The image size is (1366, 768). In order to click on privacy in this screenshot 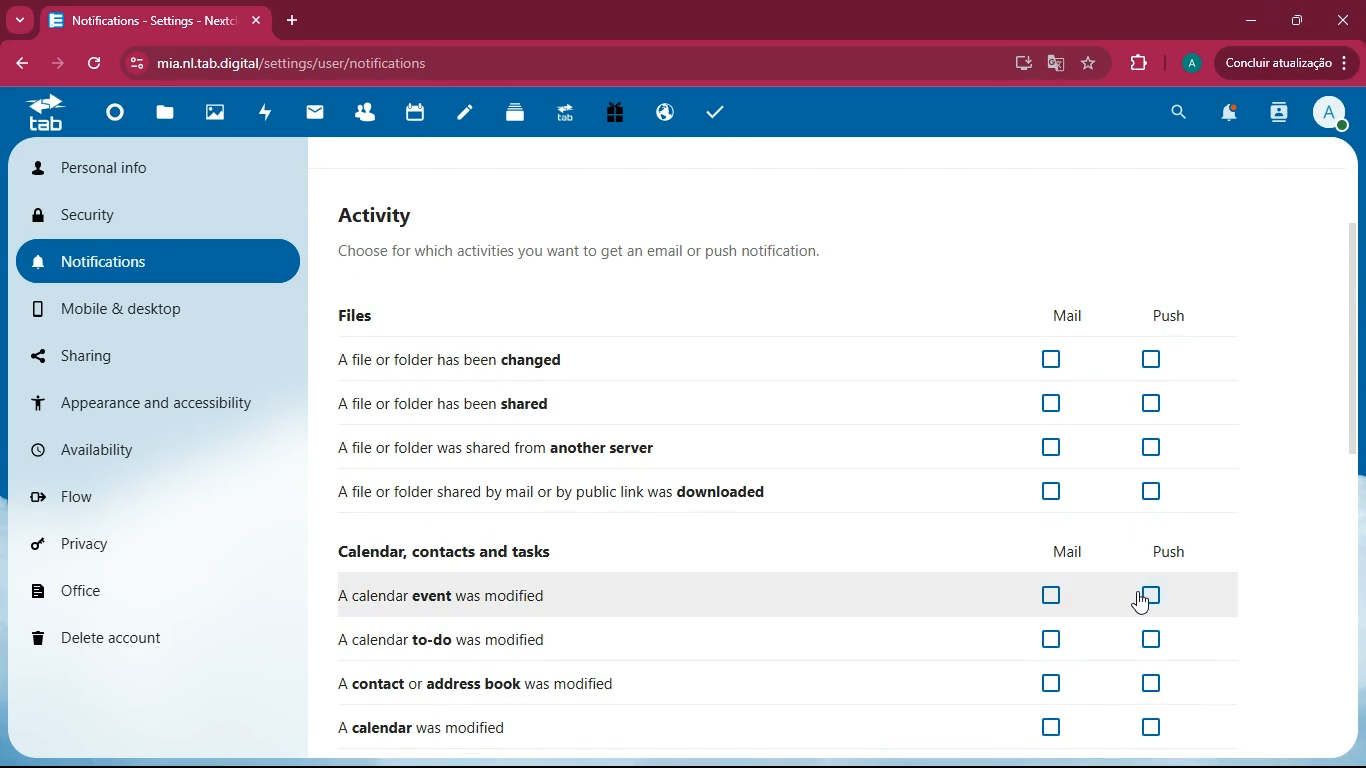, I will do `click(160, 542)`.